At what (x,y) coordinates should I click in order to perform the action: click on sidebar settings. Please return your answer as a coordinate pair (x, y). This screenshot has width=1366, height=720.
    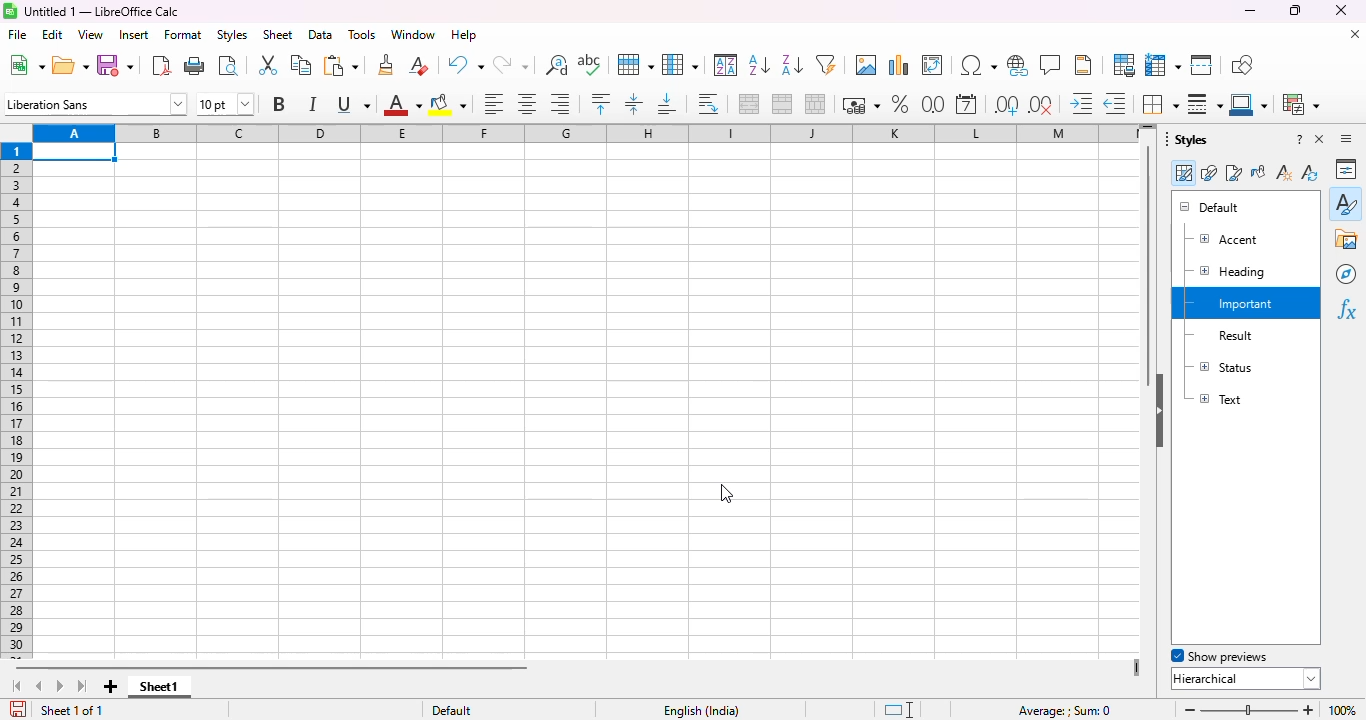
    Looking at the image, I should click on (1346, 138).